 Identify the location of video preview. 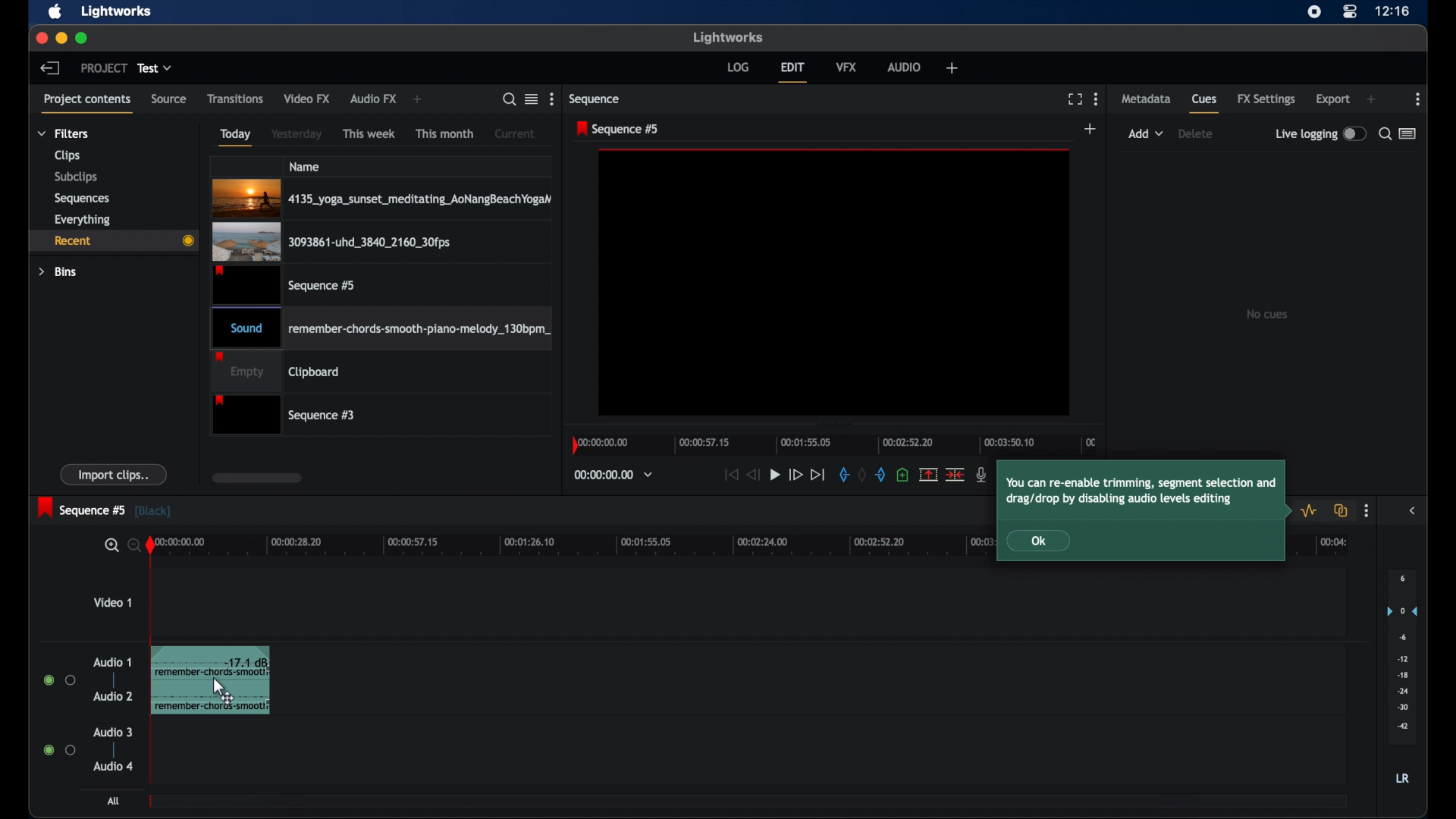
(834, 283).